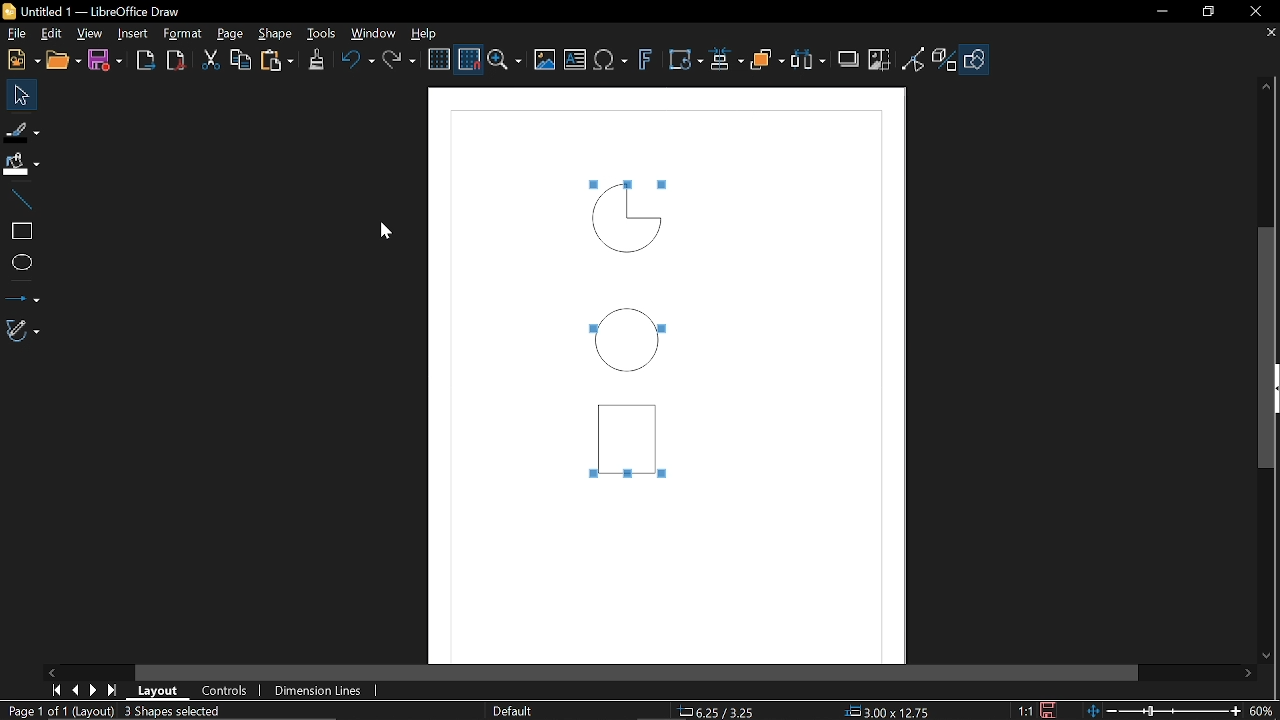 The width and height of the screenshot is (1280, 720). What do you see at coordinates (631, 225) in the screenshot?
I see `Quarter circle` at bounding box center [631, 225].